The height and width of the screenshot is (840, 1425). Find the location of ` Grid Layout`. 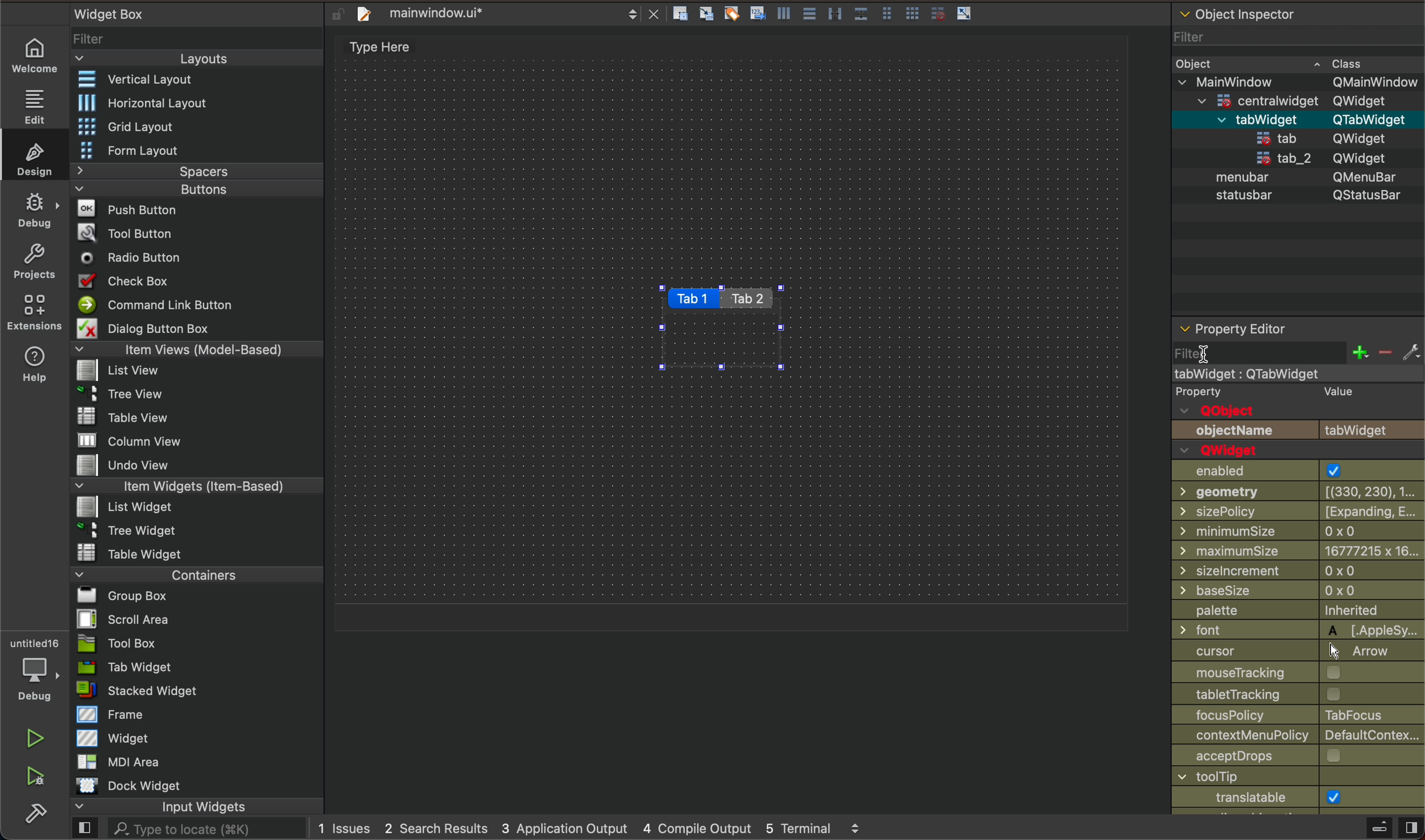

 Grid Layout is located at coordinates (120, 126).